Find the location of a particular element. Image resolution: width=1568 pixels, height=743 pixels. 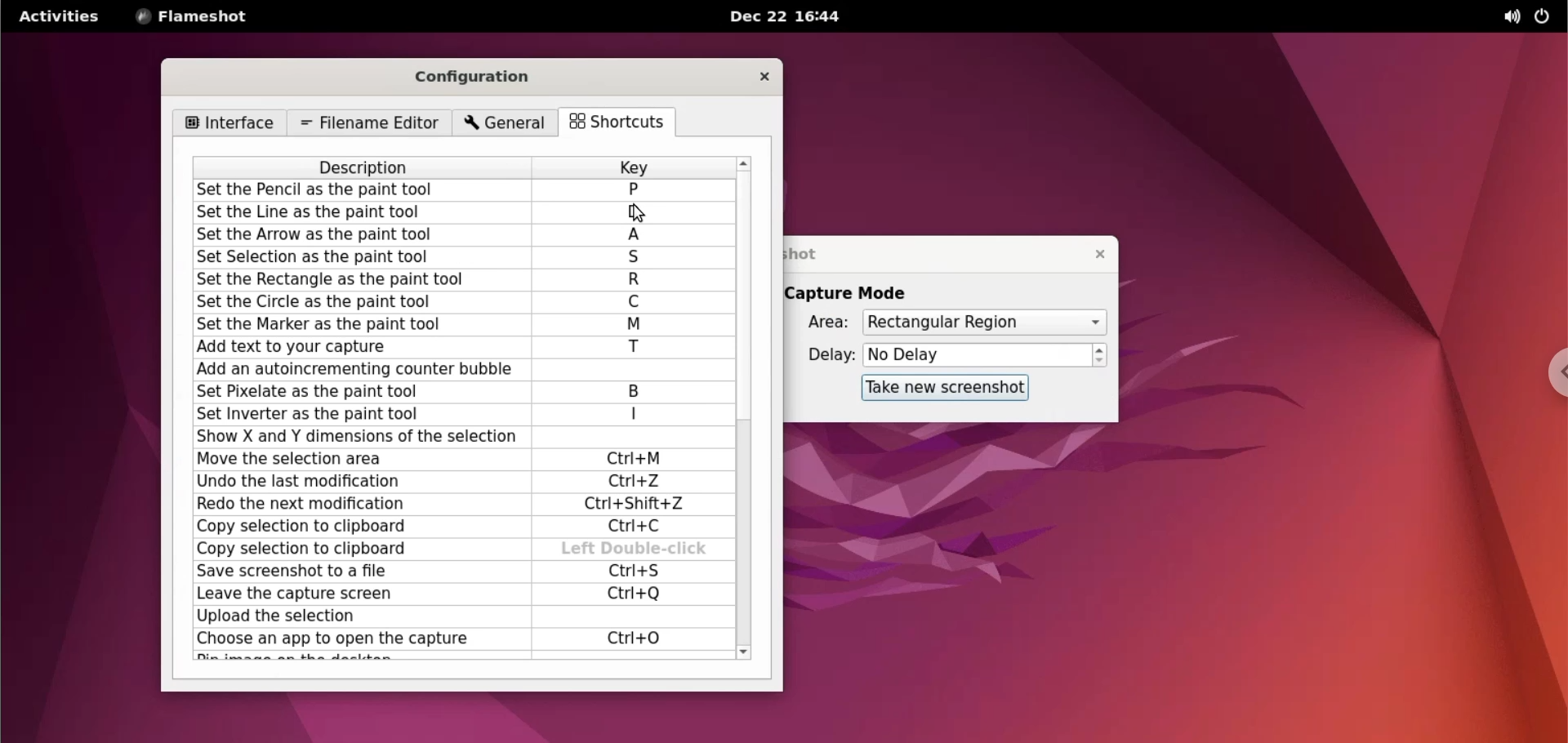

Ctrl + S is located at coordinates (631, 572).